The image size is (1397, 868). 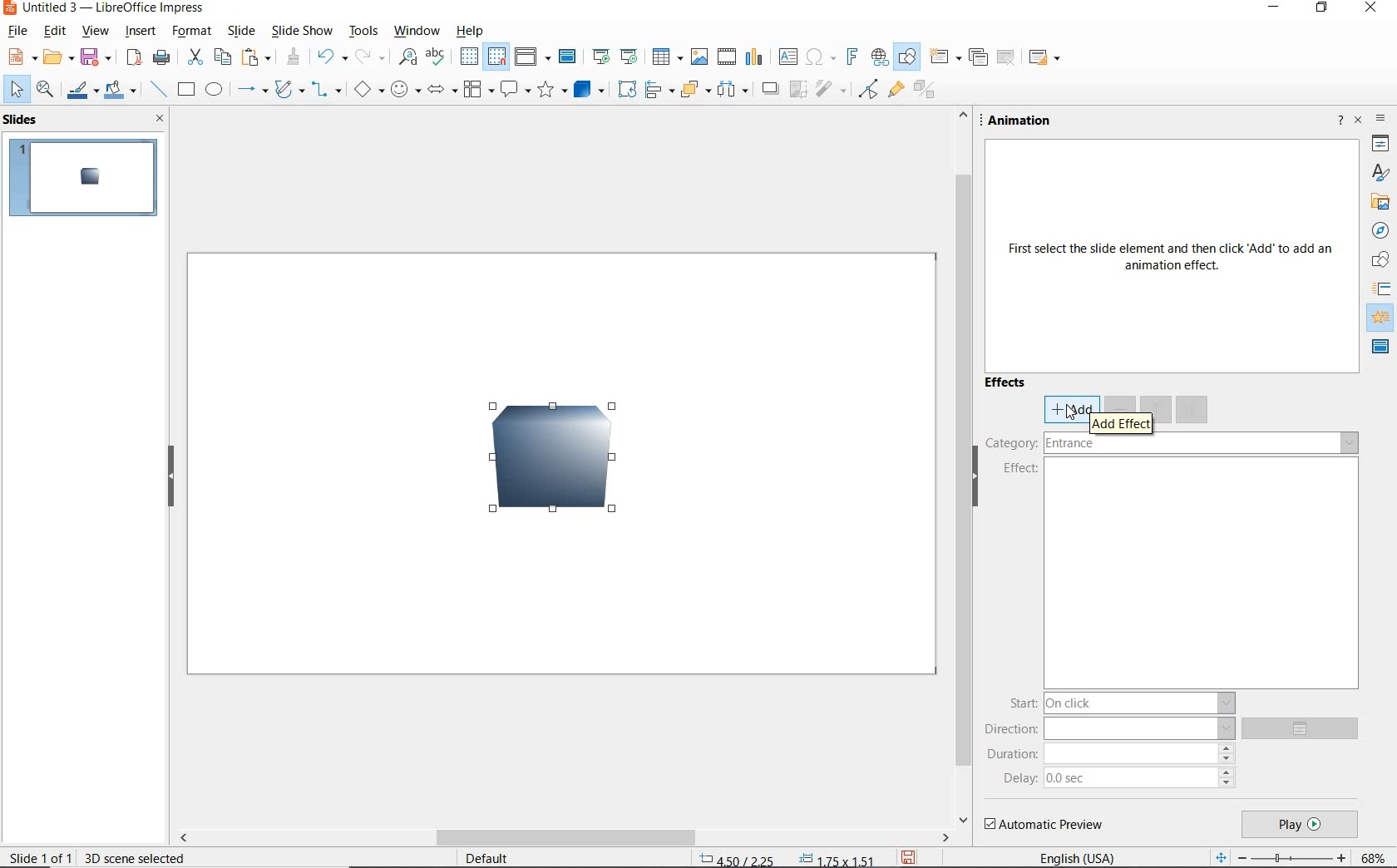 What do you see at coordinates (755, 58) in the screenshot?
I see `insert chart` at bounding box center [755, 58].